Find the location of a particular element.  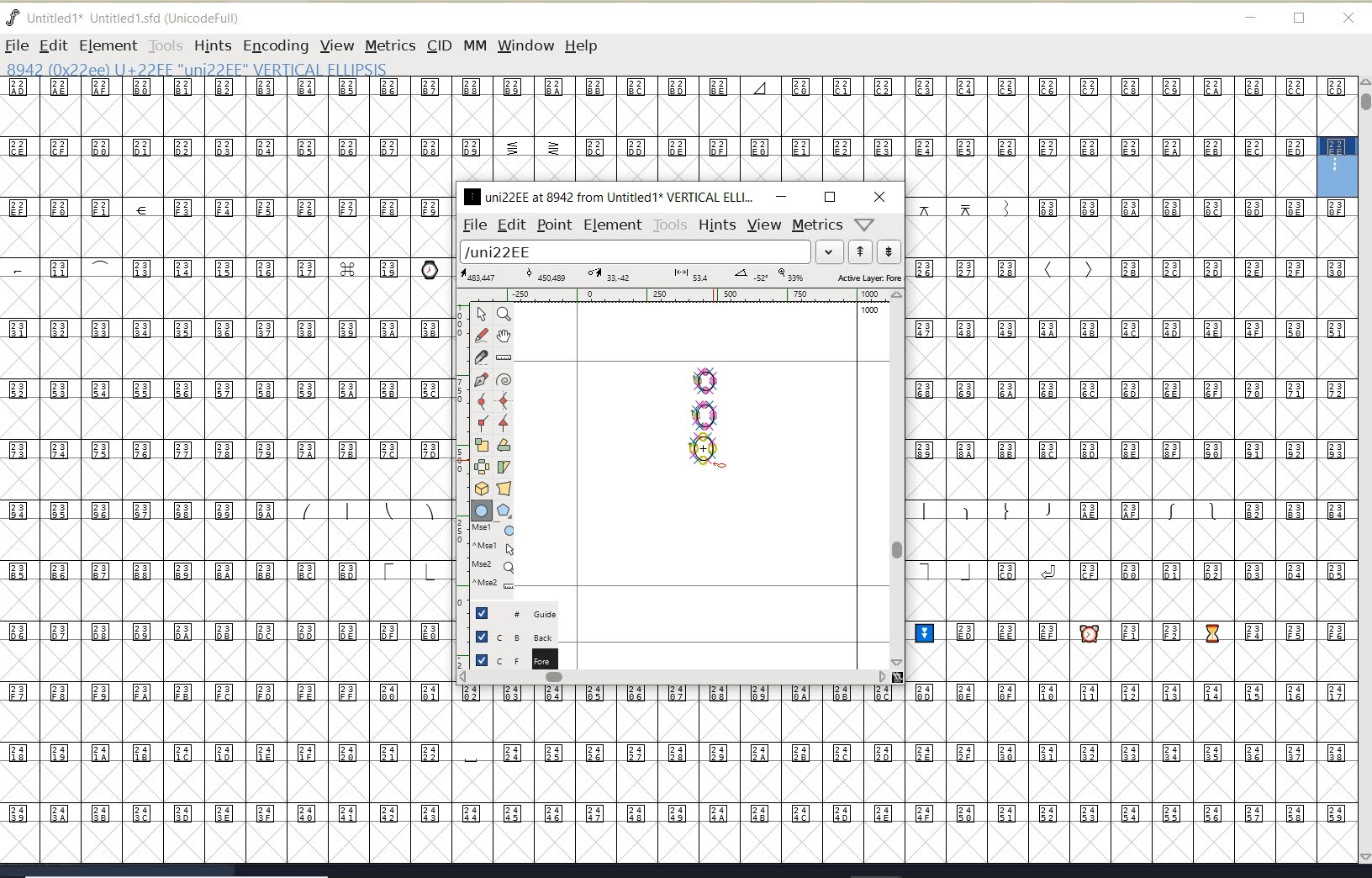

rotate the selection in 3d and project back to plane is located at coordinates (482, 489).